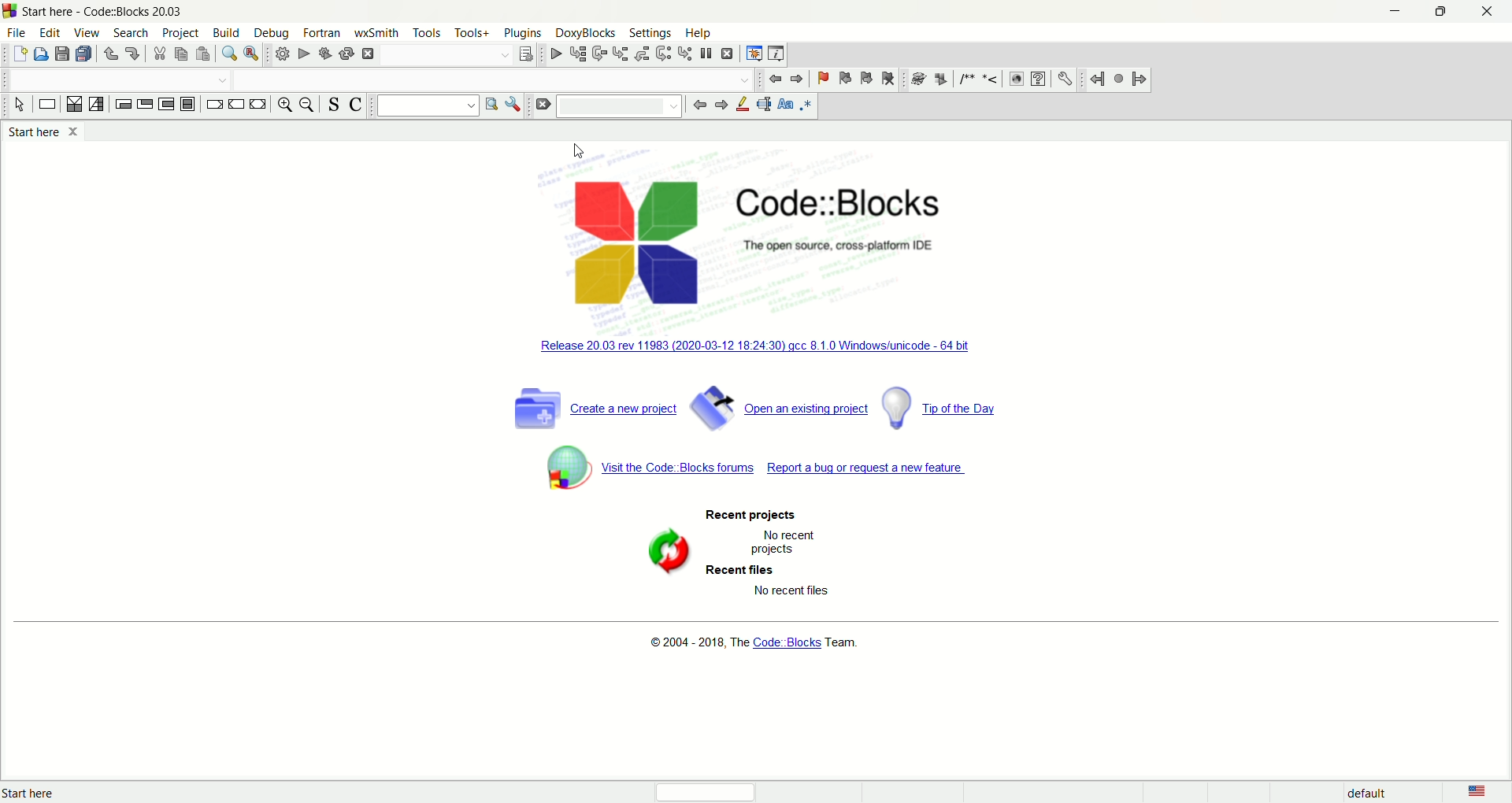  I want to click on debug, so click(554, 55).